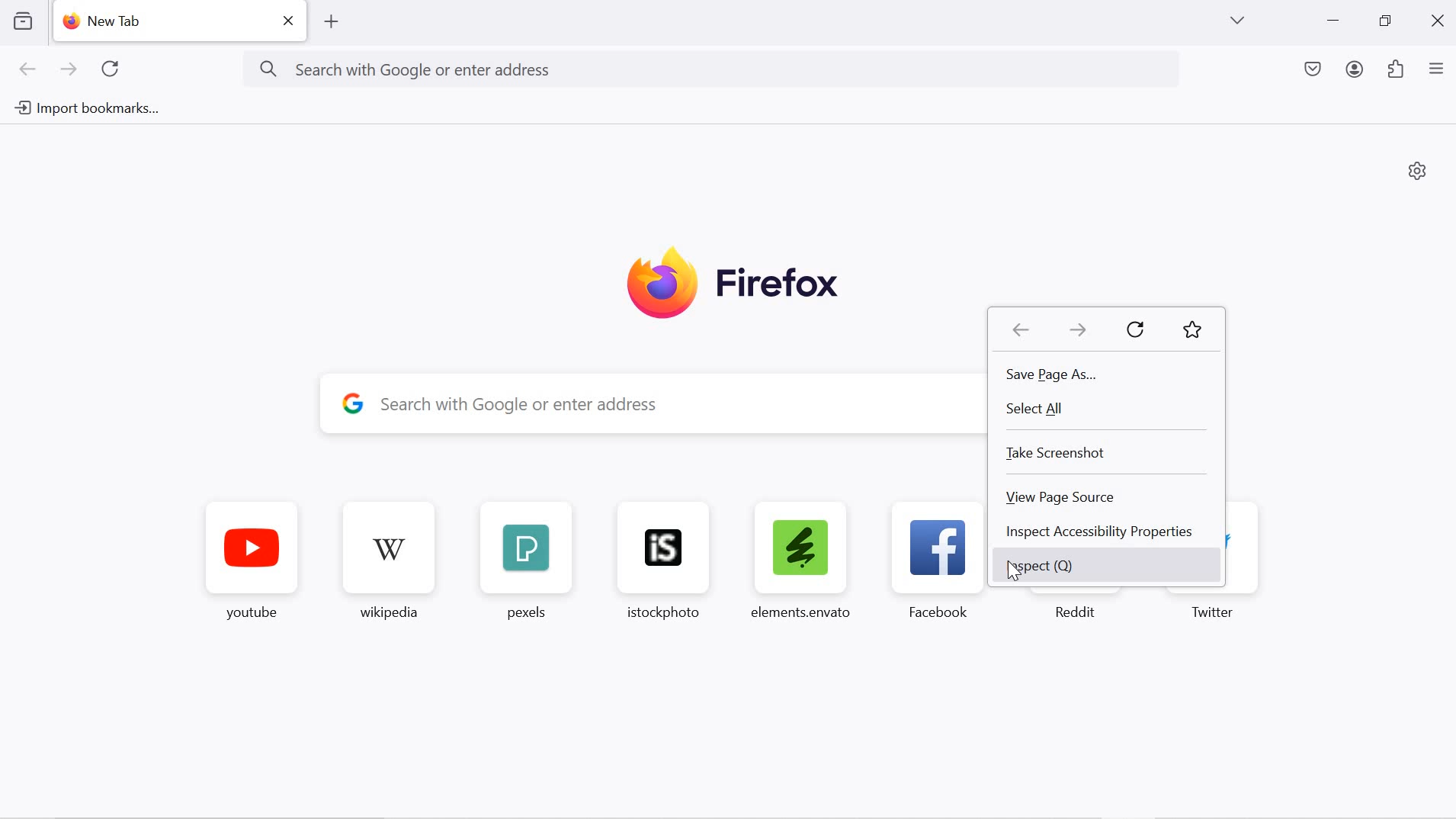 The height and width of the screenshot is (819, 1456). Describe the element at coordinates (1417, 172) in the screenshot. I see `personalize new tab` at that location.